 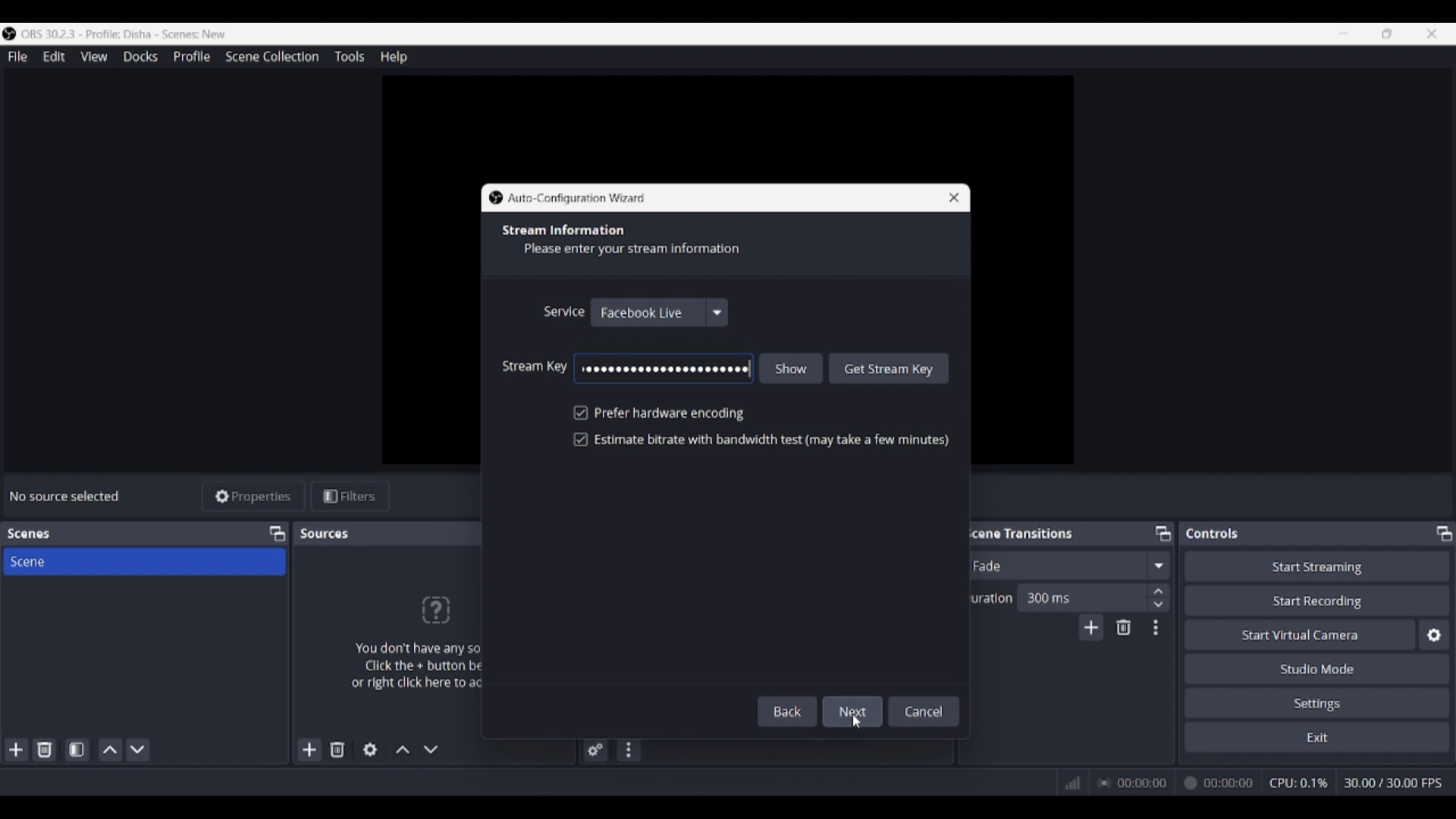 I want to click on Add scene, so click(x=17, y=750).